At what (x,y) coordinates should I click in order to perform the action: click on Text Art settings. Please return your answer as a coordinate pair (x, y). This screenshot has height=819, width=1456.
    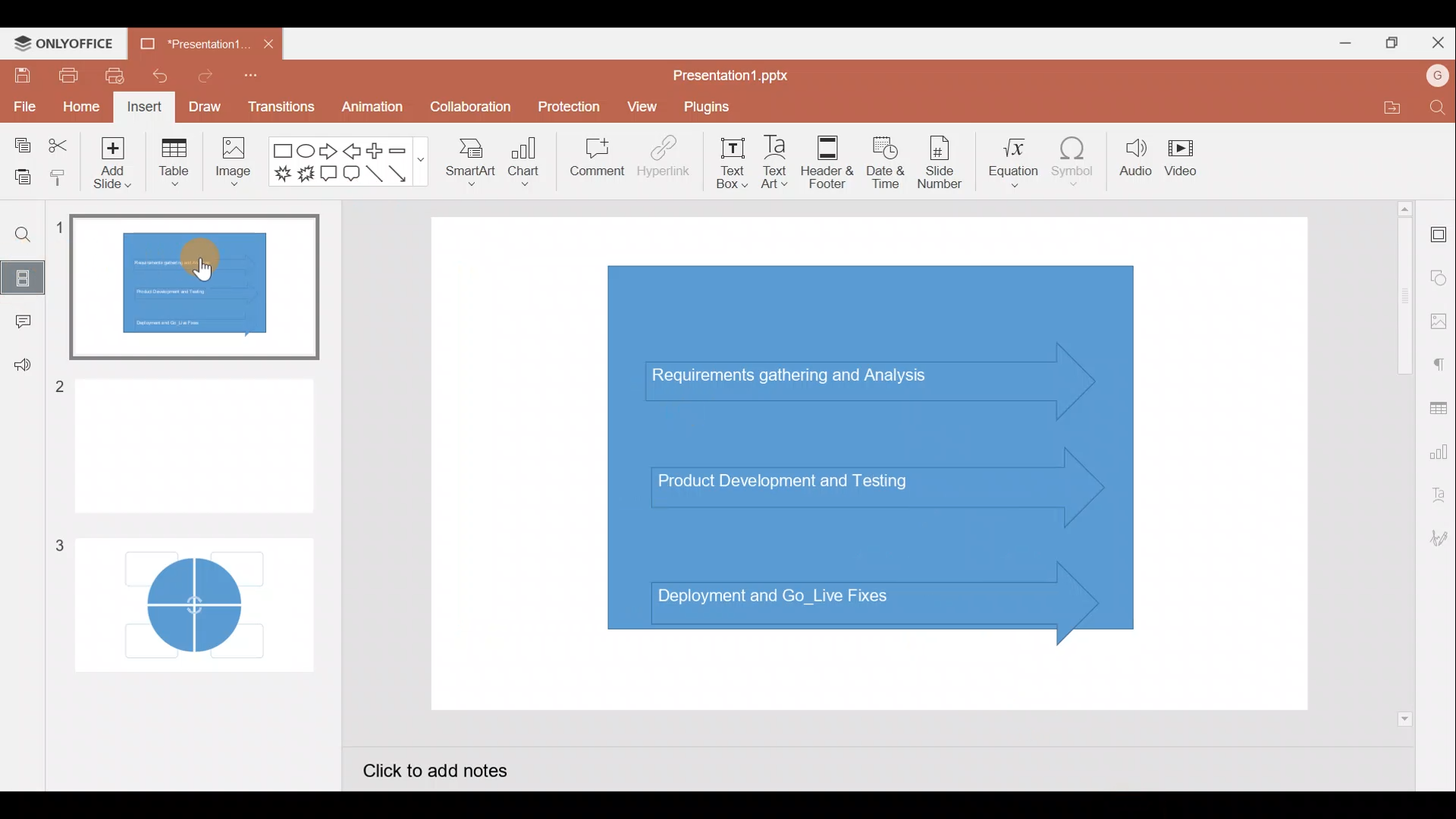
    Looking at the image, I should click on (1437, 500).